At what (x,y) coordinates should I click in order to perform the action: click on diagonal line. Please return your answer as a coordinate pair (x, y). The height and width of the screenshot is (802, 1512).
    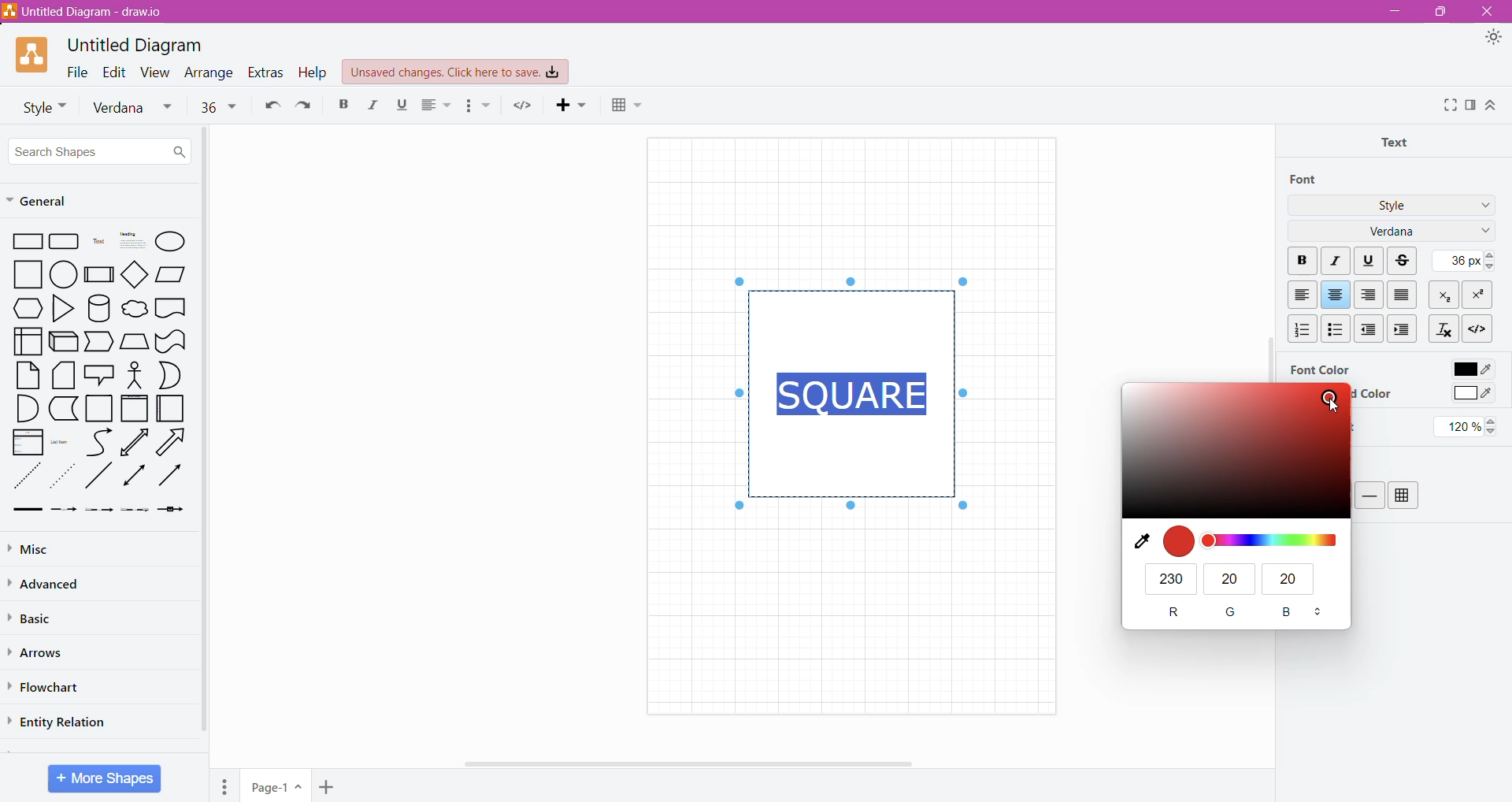
    Looking at the image, I should click on (100, 475).